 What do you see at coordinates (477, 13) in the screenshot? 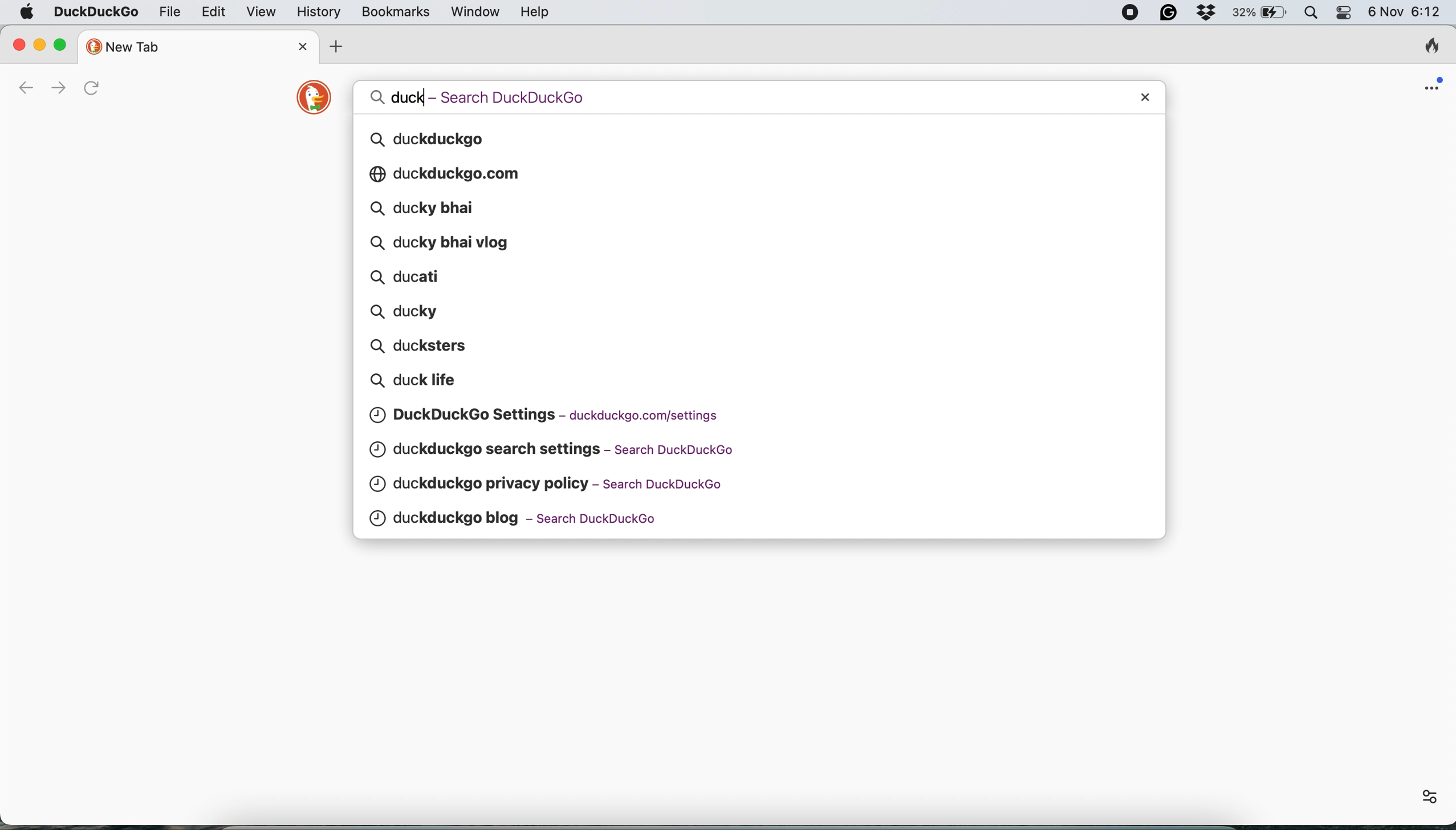
I see `window` at bounding box center [477, 13].